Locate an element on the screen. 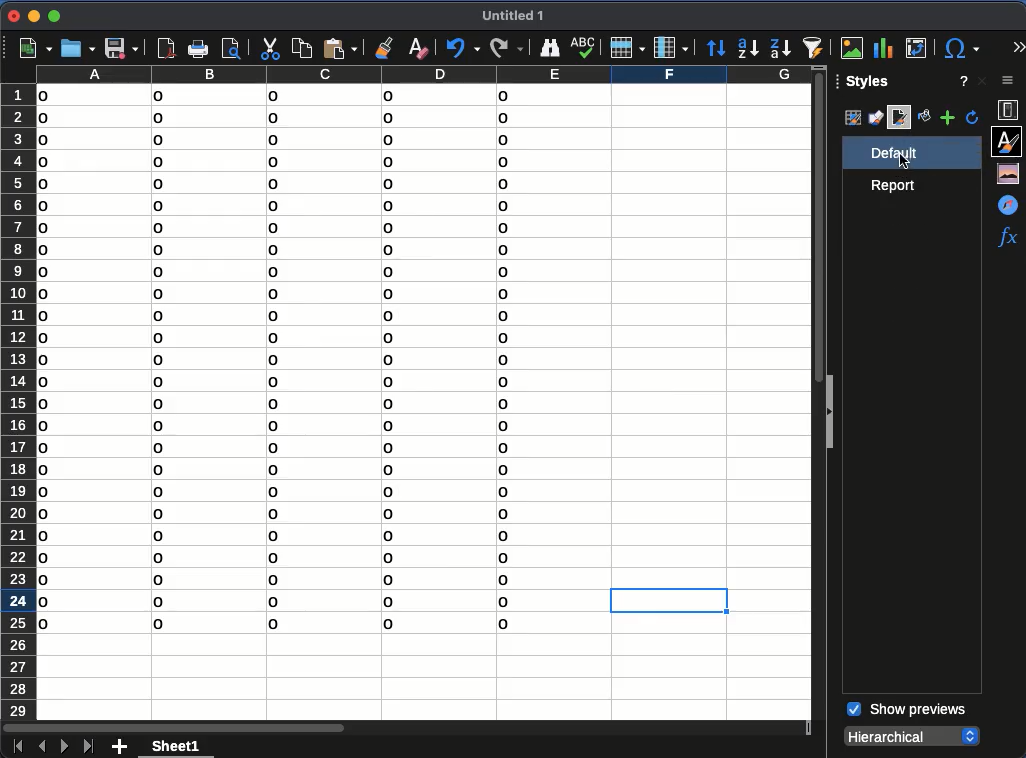 This screenshot has width=1026, height=758. print is located at coordinates (198, 49).